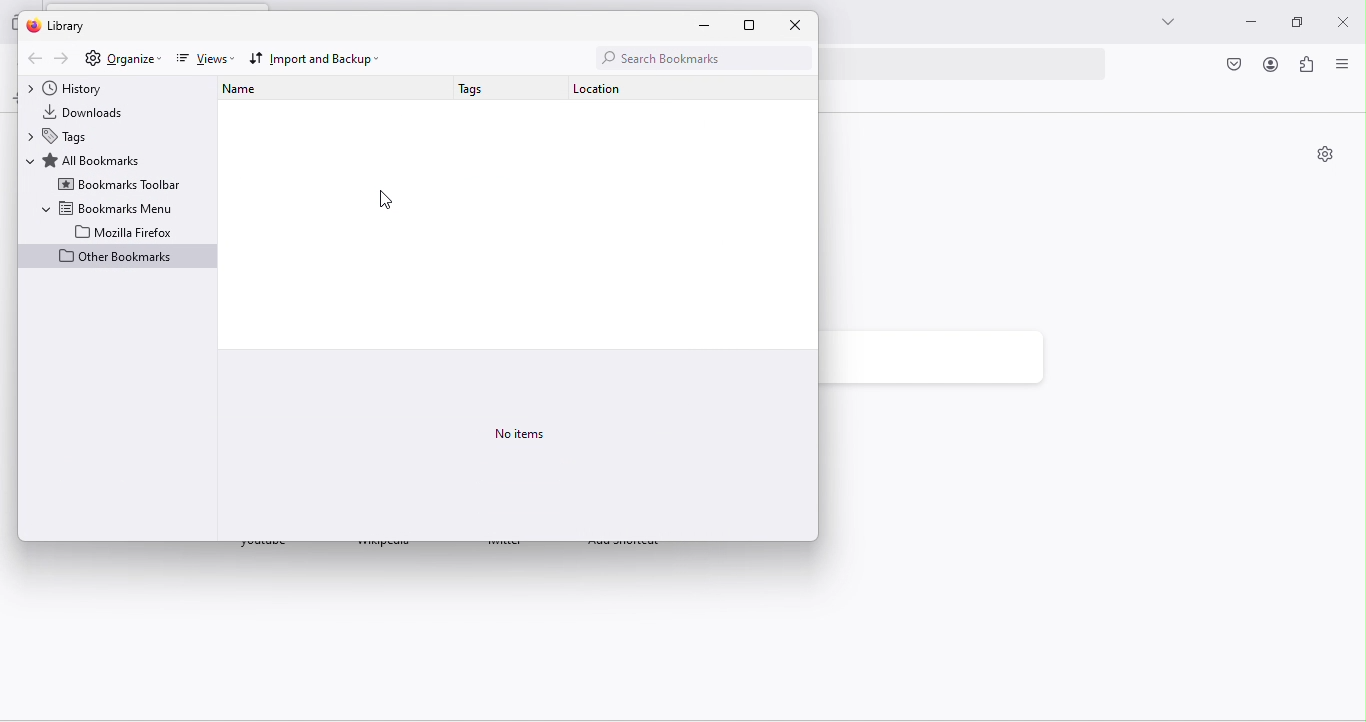 The width and height of the screenshot is (1366, 722). I want to click on cursor , so click(386, 200).